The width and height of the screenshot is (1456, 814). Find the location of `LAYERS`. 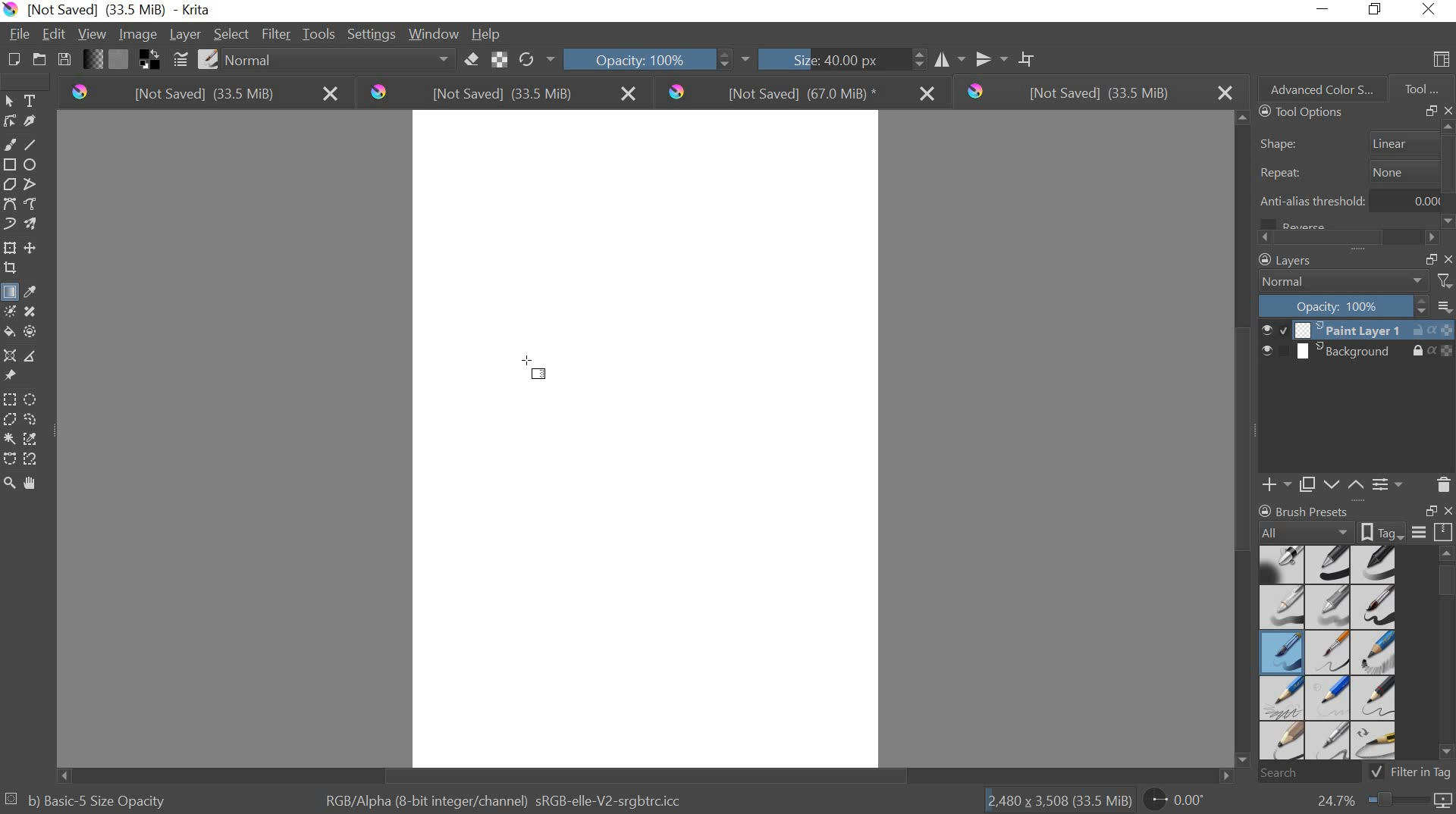

LAYERS is located at coordinates (1282, 260).